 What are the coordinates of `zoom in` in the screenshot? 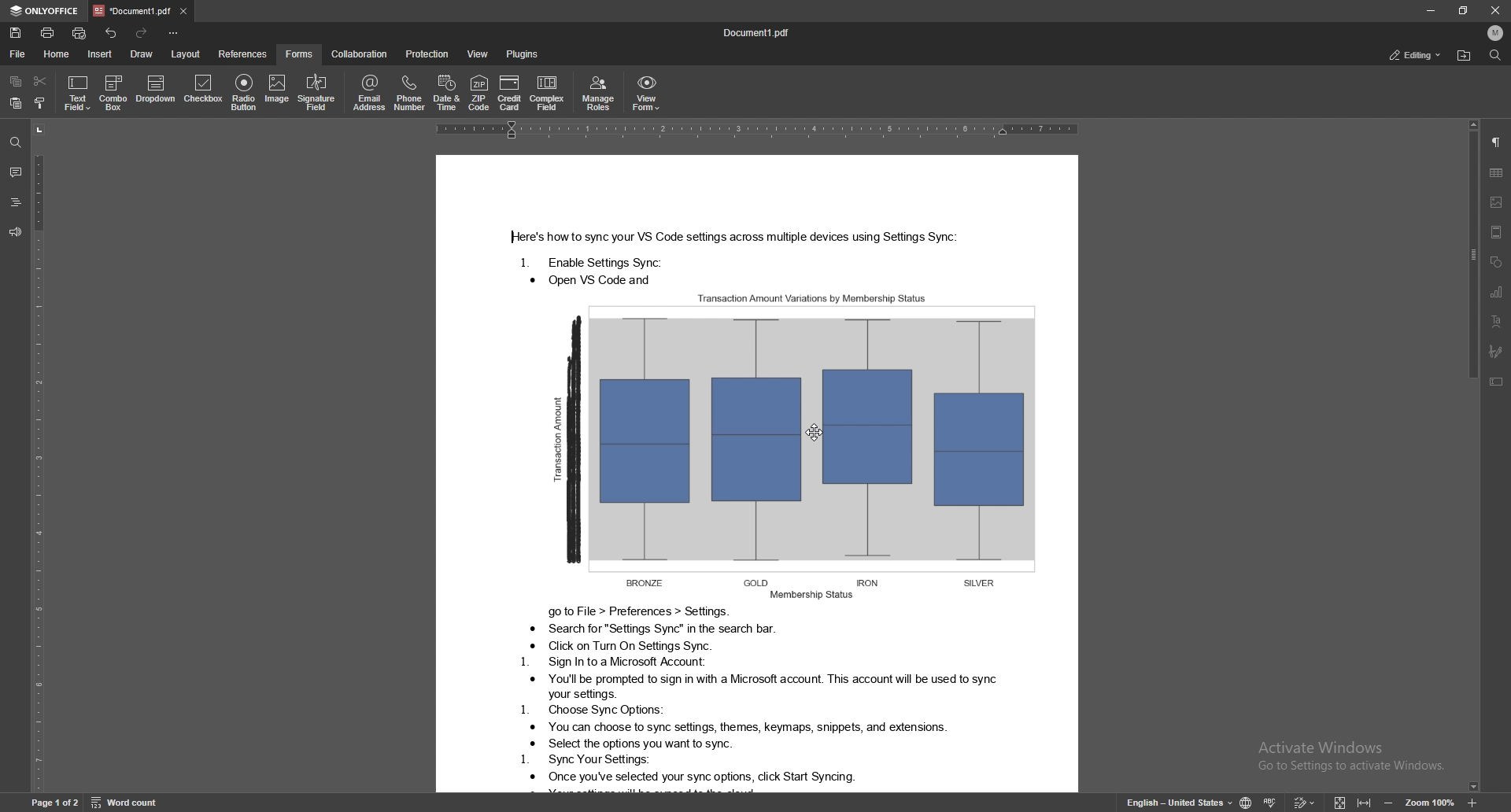 It's located at (1472, 803).